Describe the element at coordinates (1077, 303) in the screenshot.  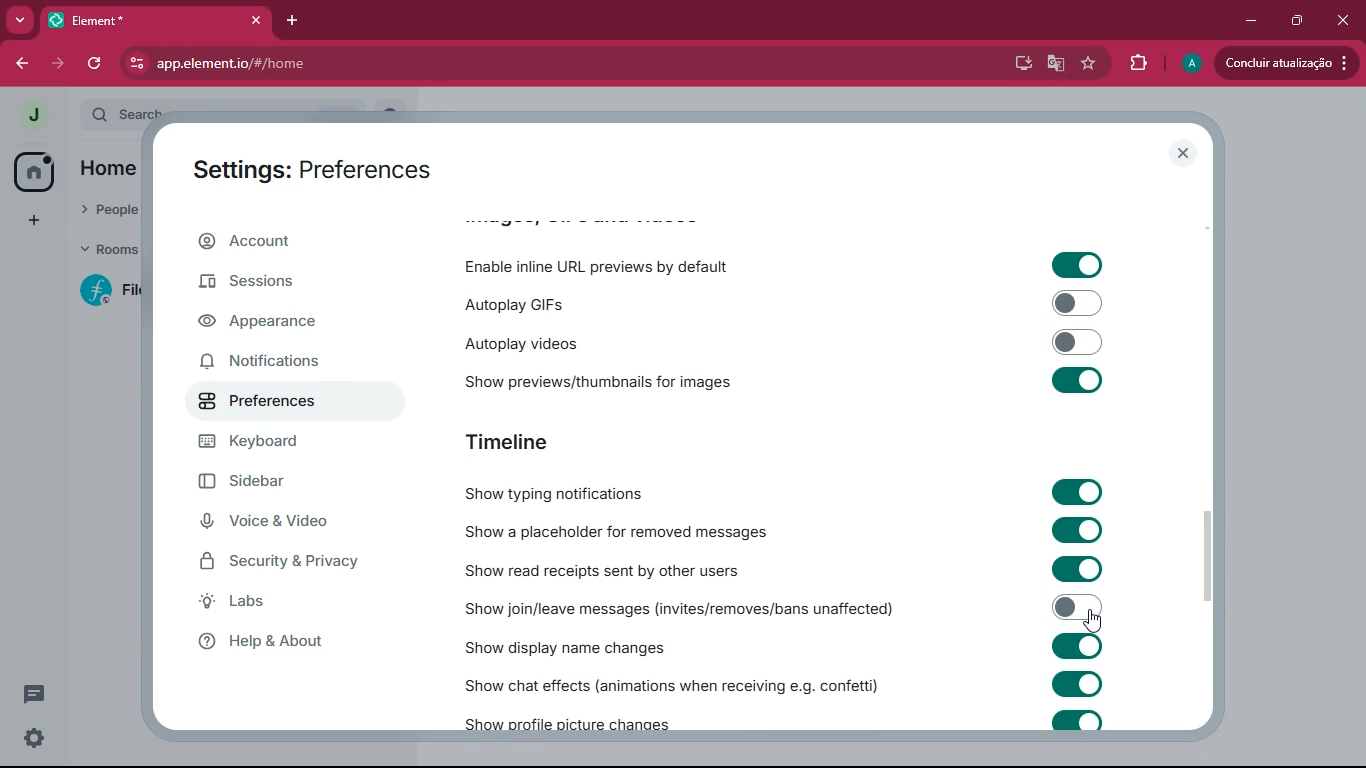
I see `toggle on/off` at that location.